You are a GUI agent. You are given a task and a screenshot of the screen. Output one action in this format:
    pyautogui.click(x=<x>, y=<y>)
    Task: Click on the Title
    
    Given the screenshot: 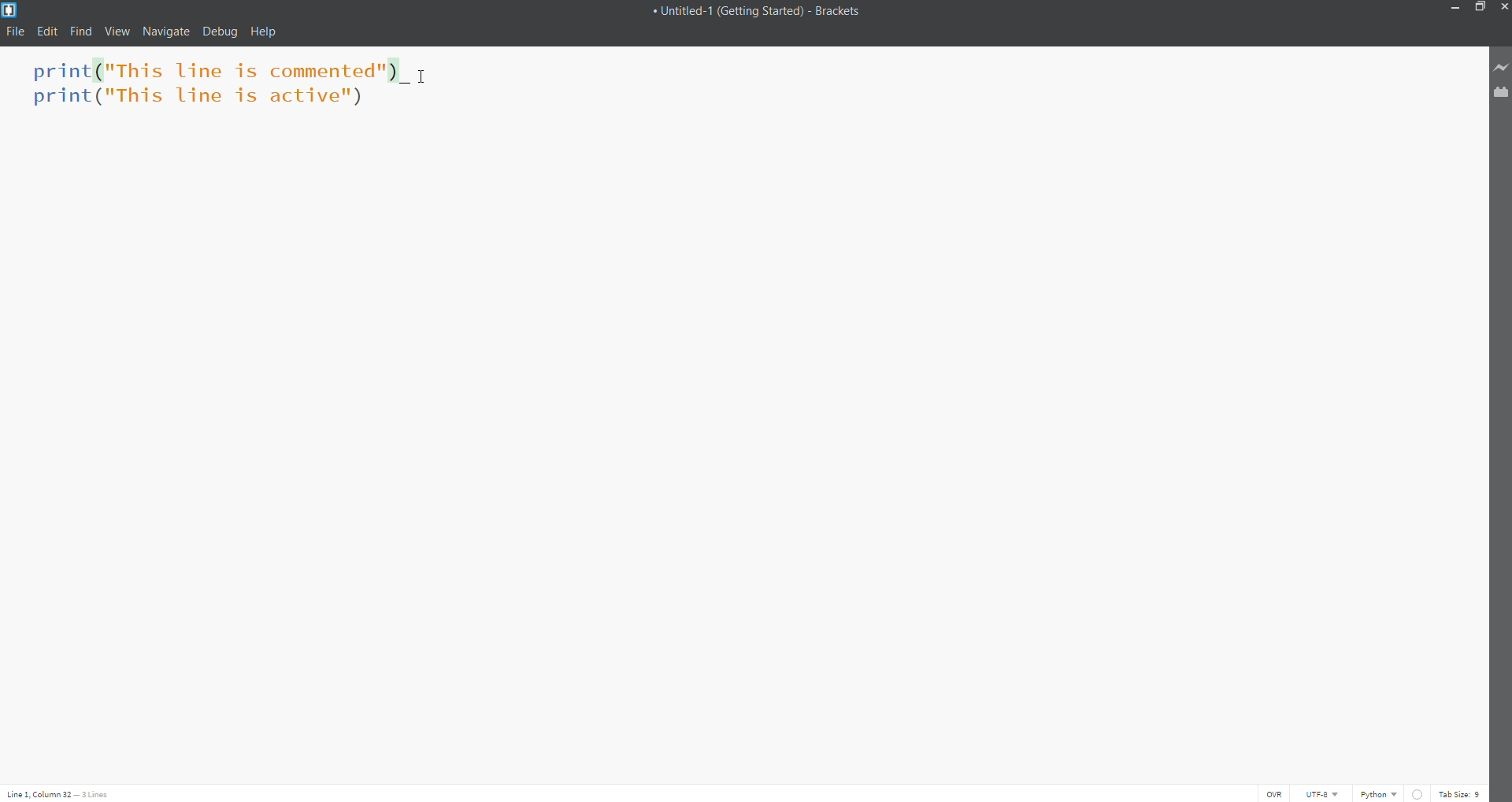 What is the action you would take?
    pyautogui.click(x=766, y=12)
    